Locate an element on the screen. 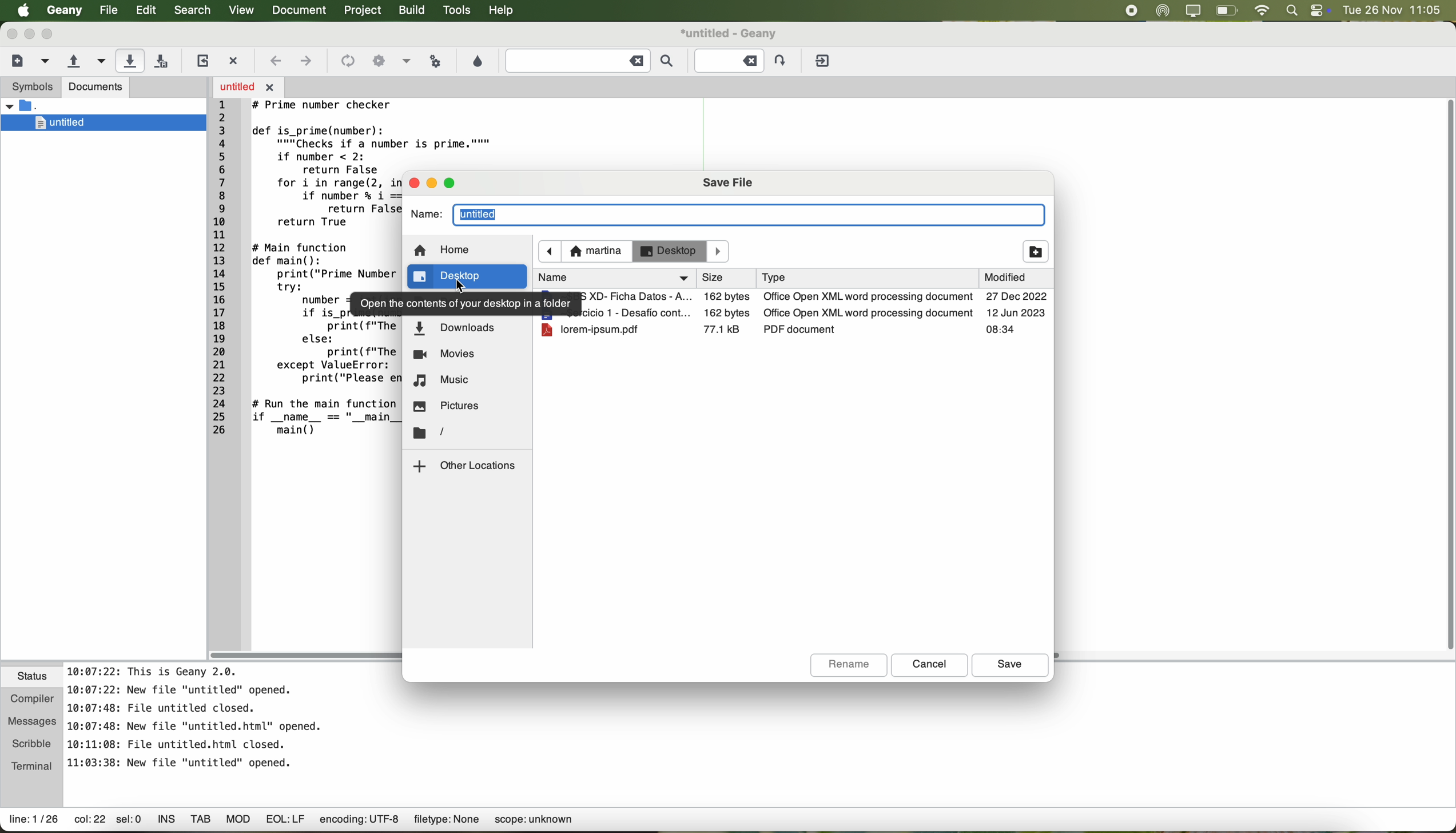  navigate back is located at coordinates (276, 61).